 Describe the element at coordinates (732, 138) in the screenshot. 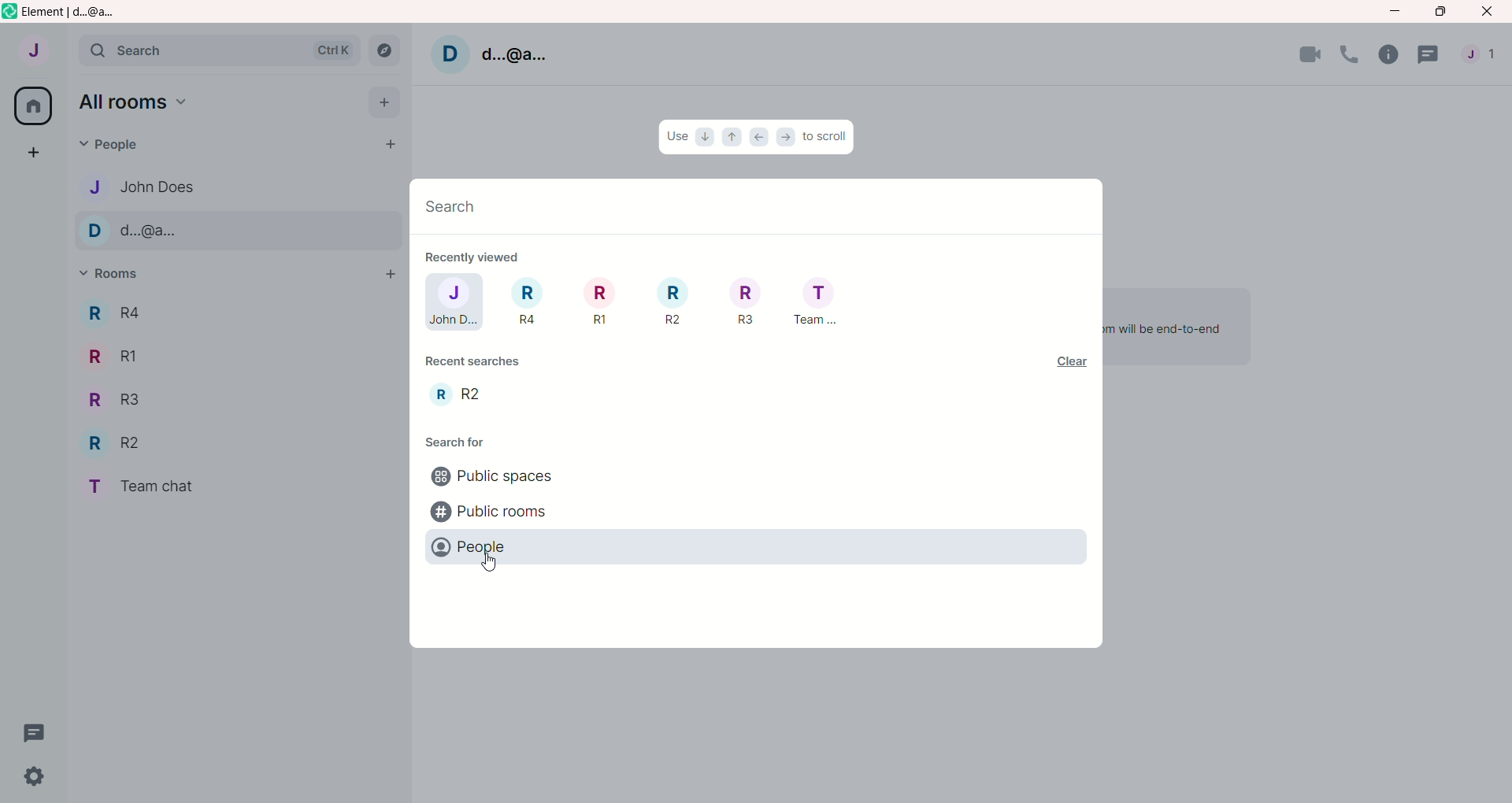

I see `up arrow icon` at that location.